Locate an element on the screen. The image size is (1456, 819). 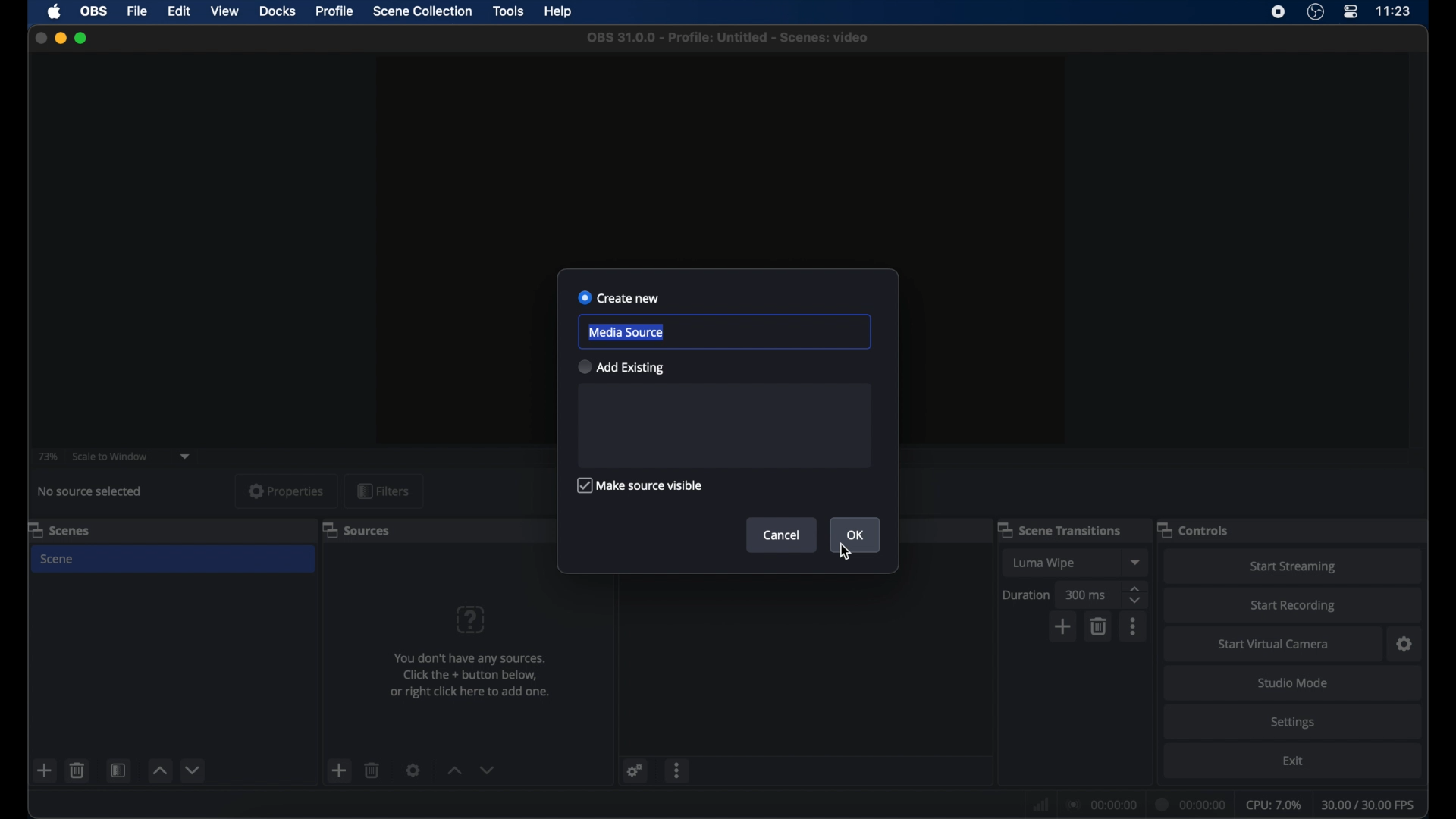
start recording is located at coordinates (1294, 606).